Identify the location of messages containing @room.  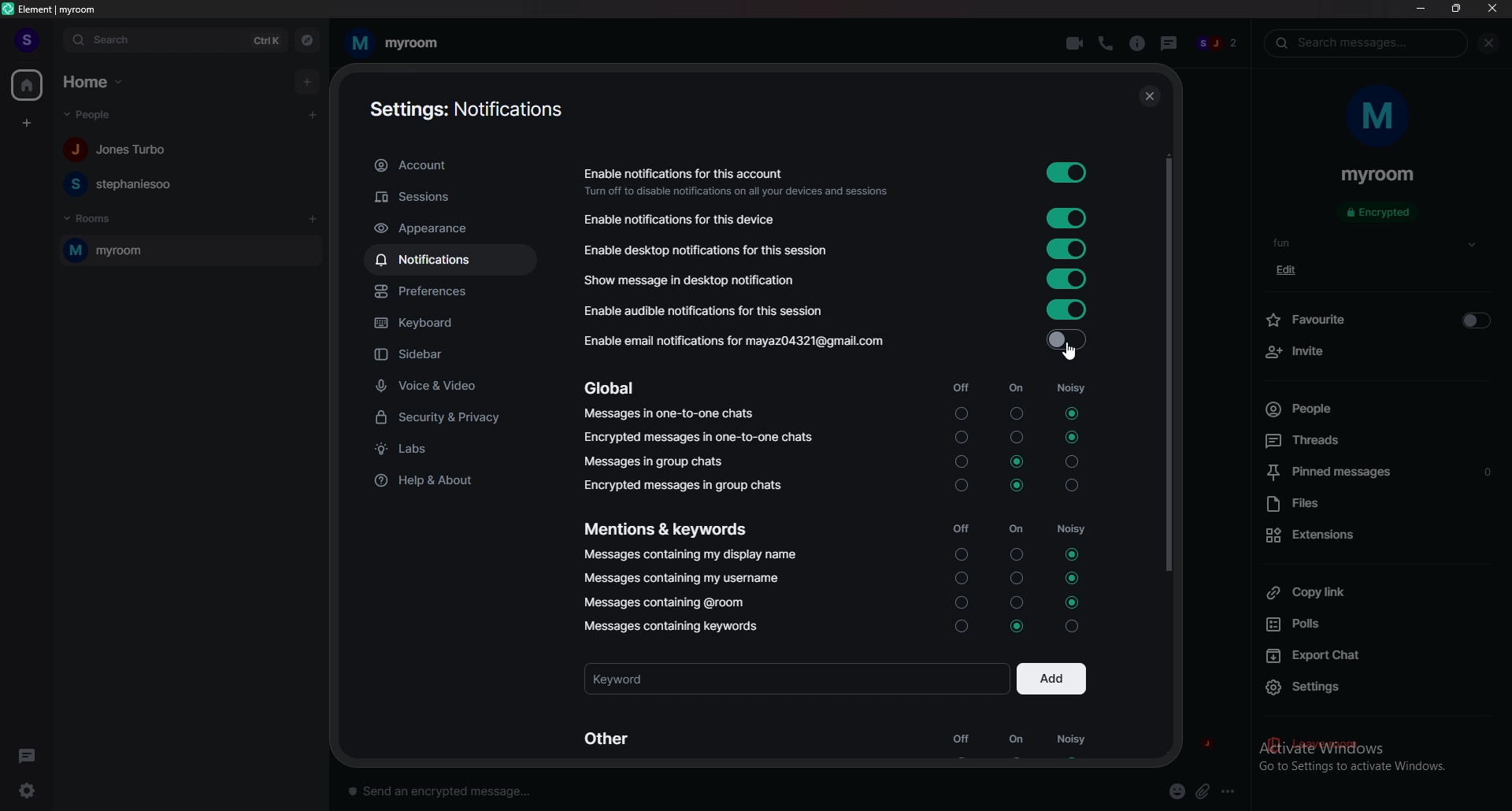
(666, 603).